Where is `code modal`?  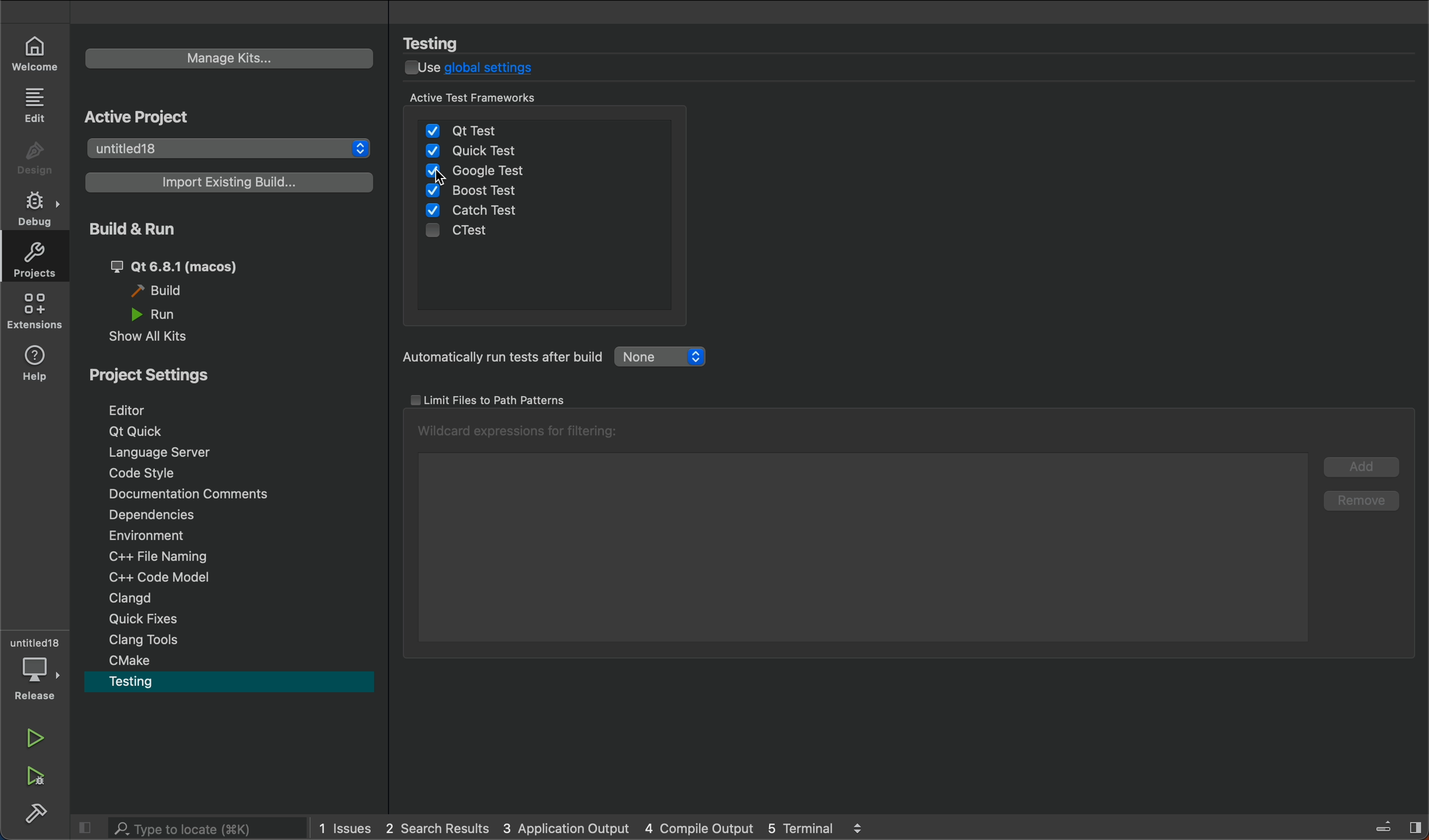
code modal is located at coordinates (234, 579).